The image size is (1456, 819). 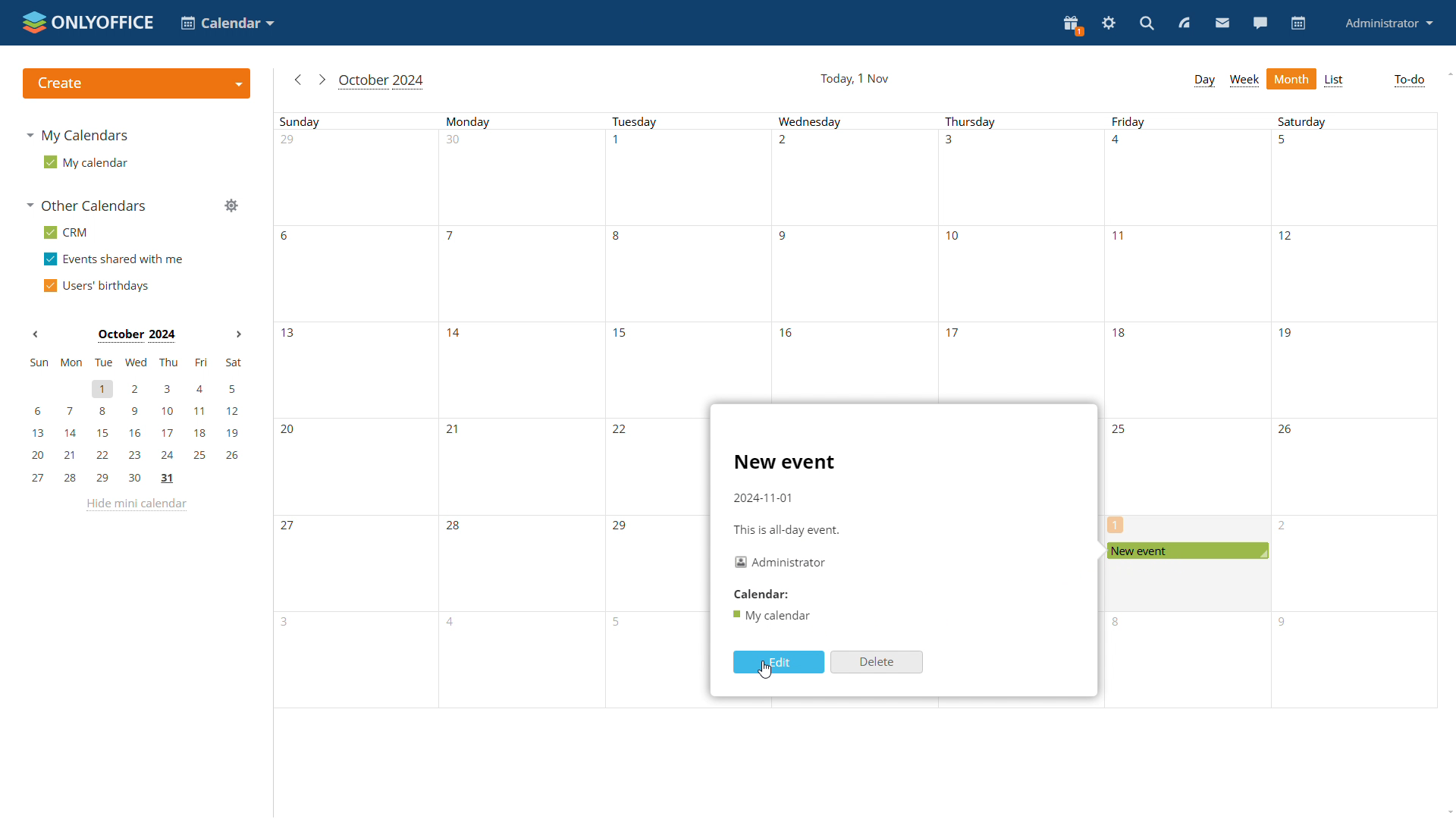 I want to click on to-do, so click(x=1408, y=81).